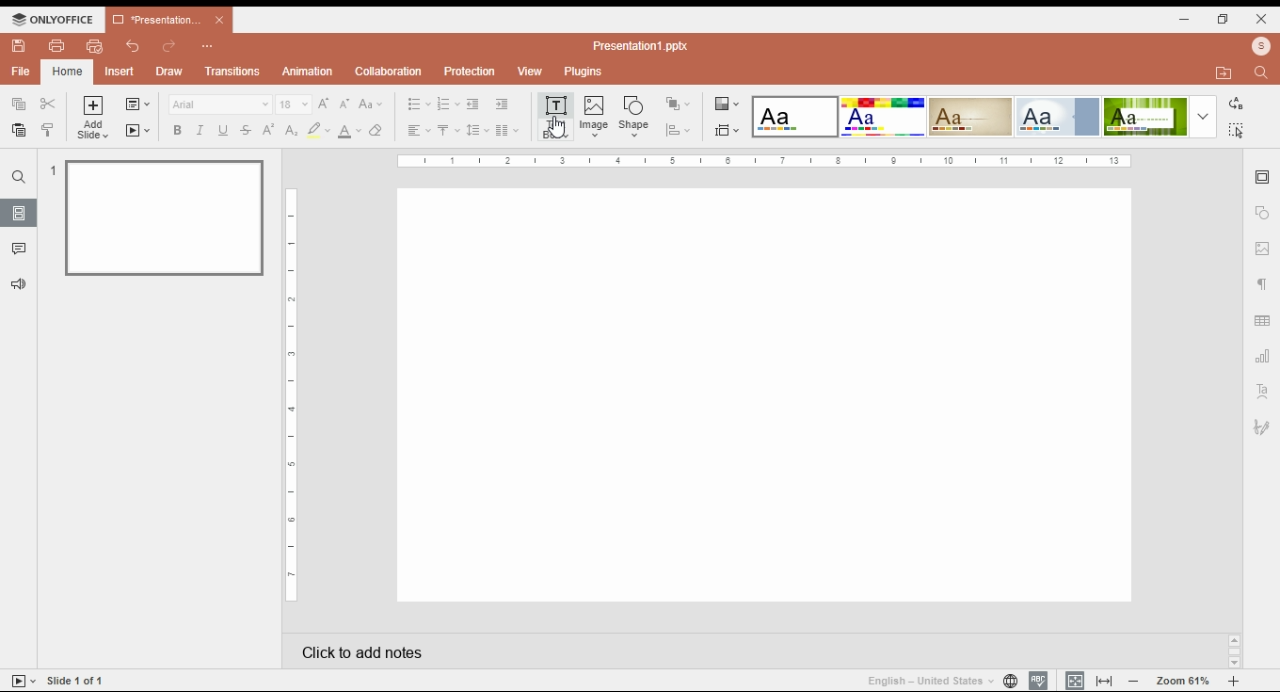  Describe the element at coordinates (20, 129) in the screenshot. I see `paste` at that location.